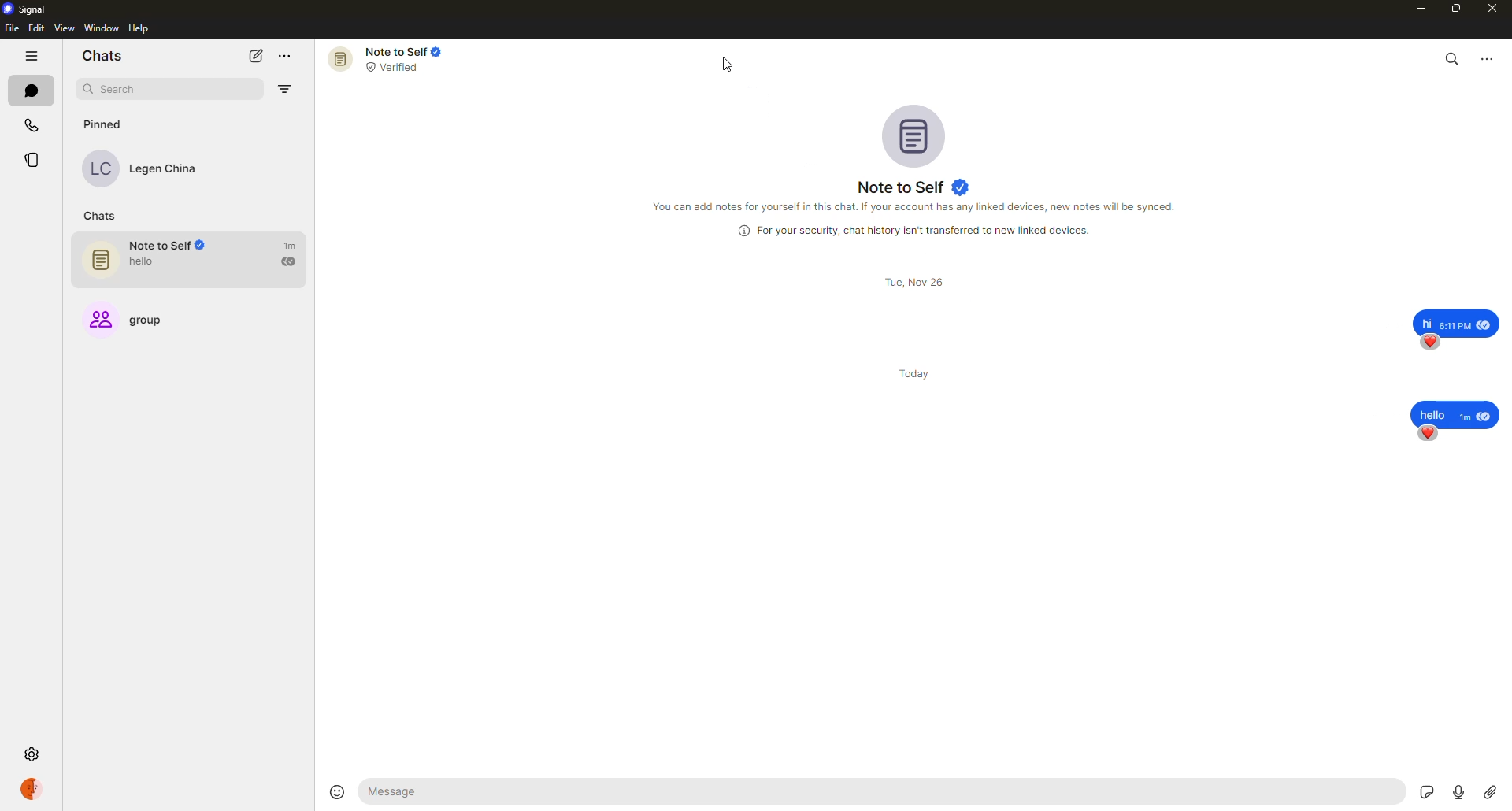 Image resolution: width=1512 pixels, height=811 pixels. I want to click on note to self, so click(196, 260).